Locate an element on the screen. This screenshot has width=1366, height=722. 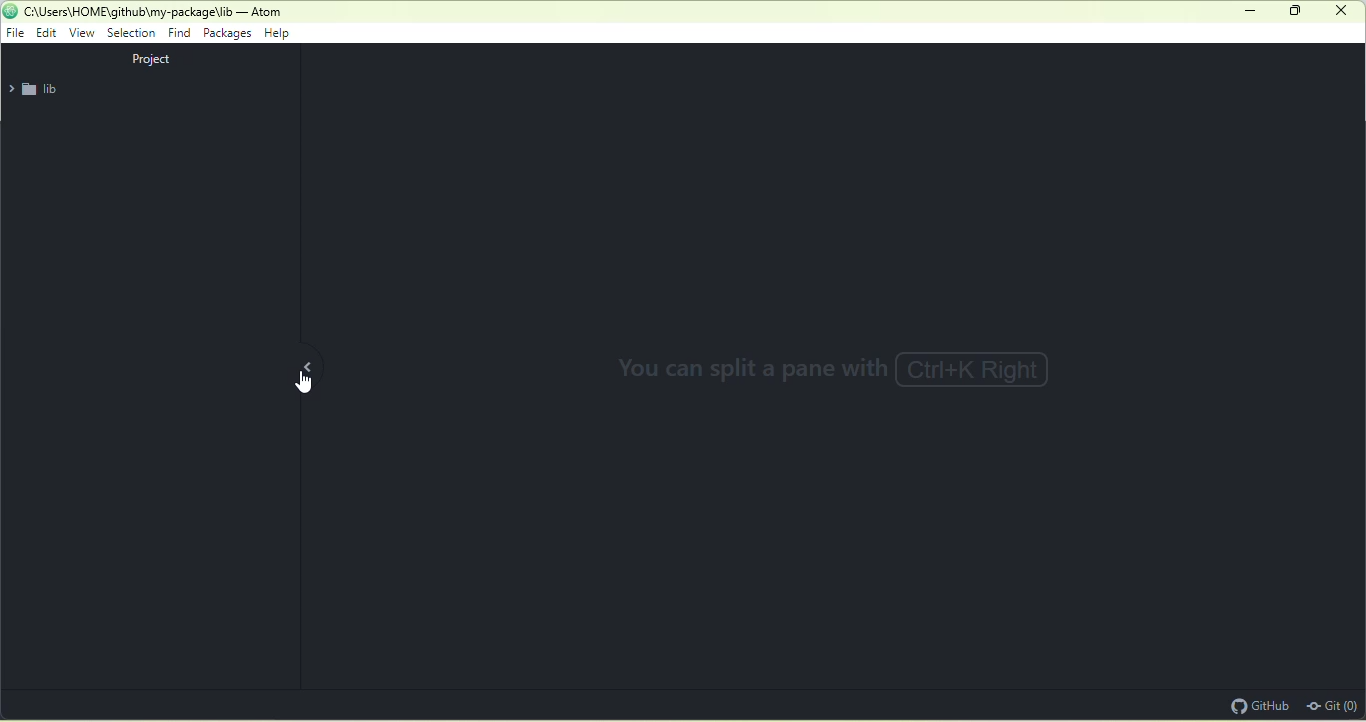
c\Users\HOME\github\my-package\lib is located at coordinates (127, 12).